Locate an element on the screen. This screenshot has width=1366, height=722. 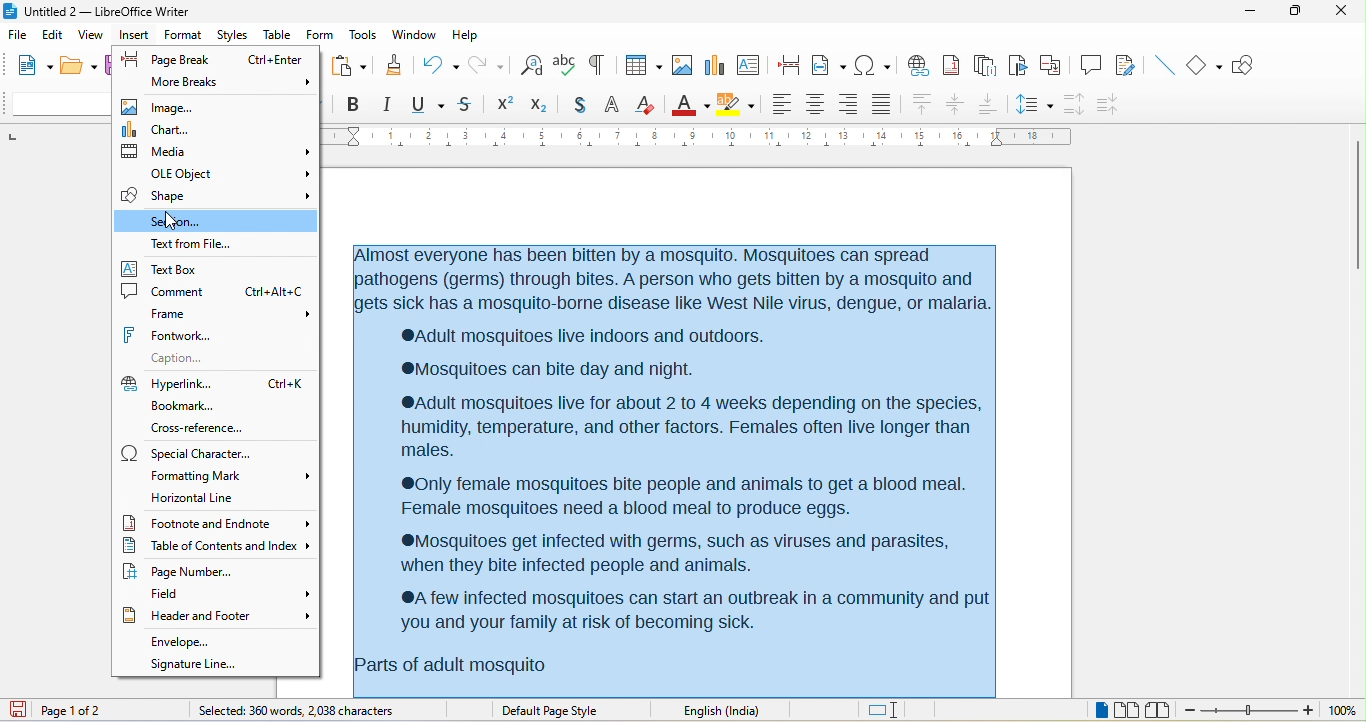
edit is located at coordinates (52, 35).